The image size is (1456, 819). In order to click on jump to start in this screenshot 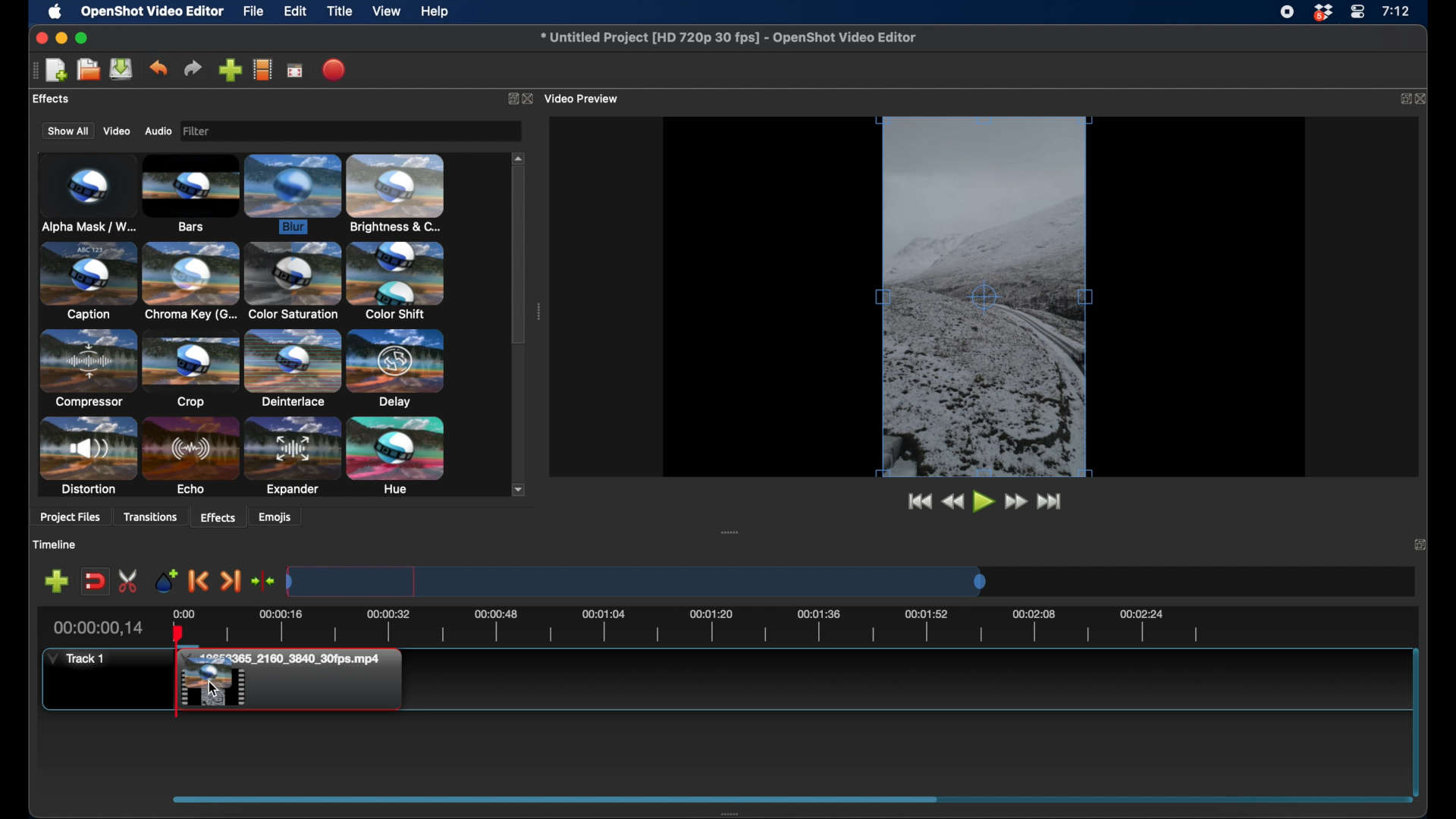, I will do `click(919, 502)`.